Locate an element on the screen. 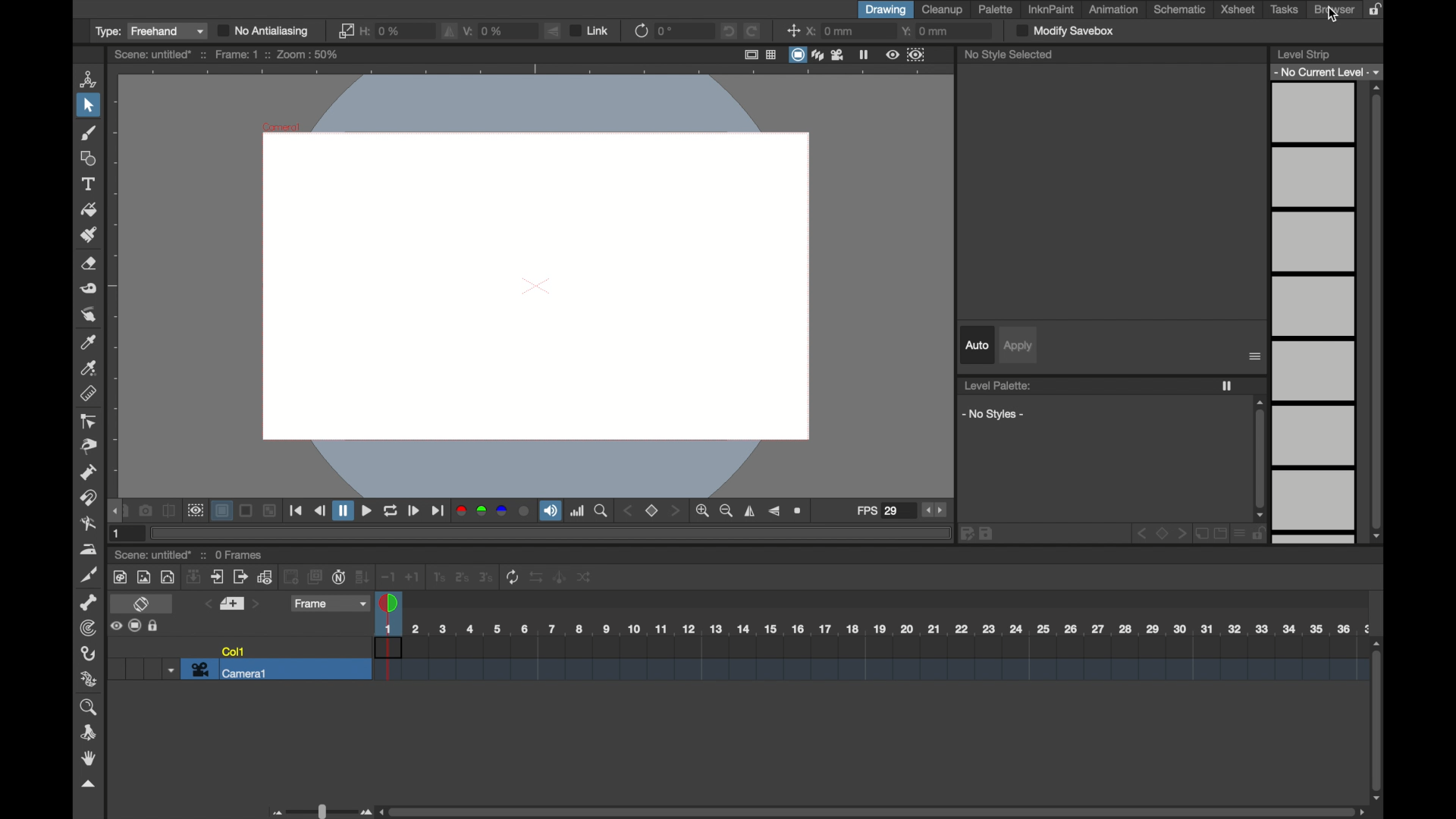 The image size is (1456, 819). stepper buttons is located at coordinates (935, 509).